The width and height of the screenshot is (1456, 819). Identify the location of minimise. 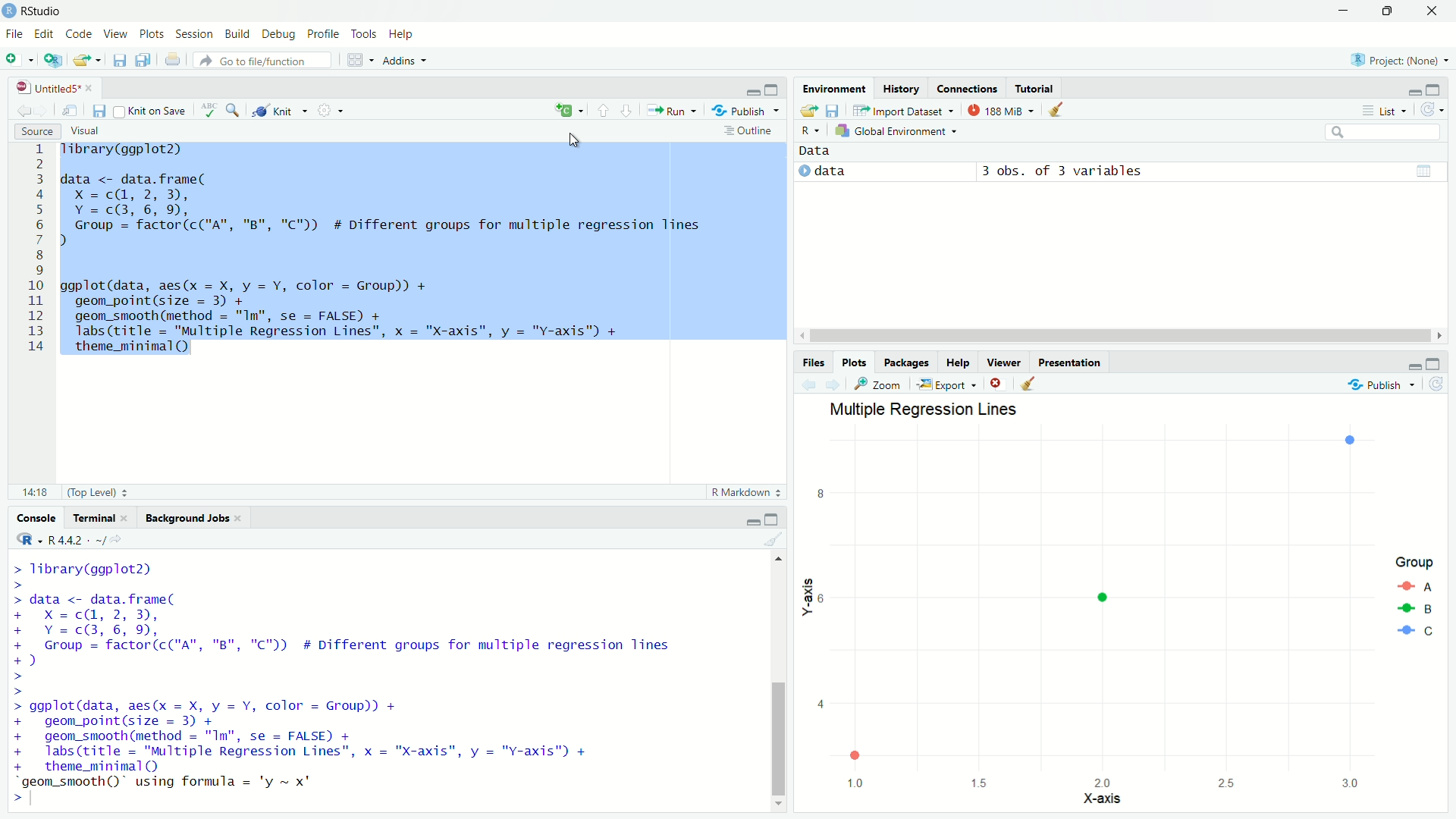
(1343, 9).